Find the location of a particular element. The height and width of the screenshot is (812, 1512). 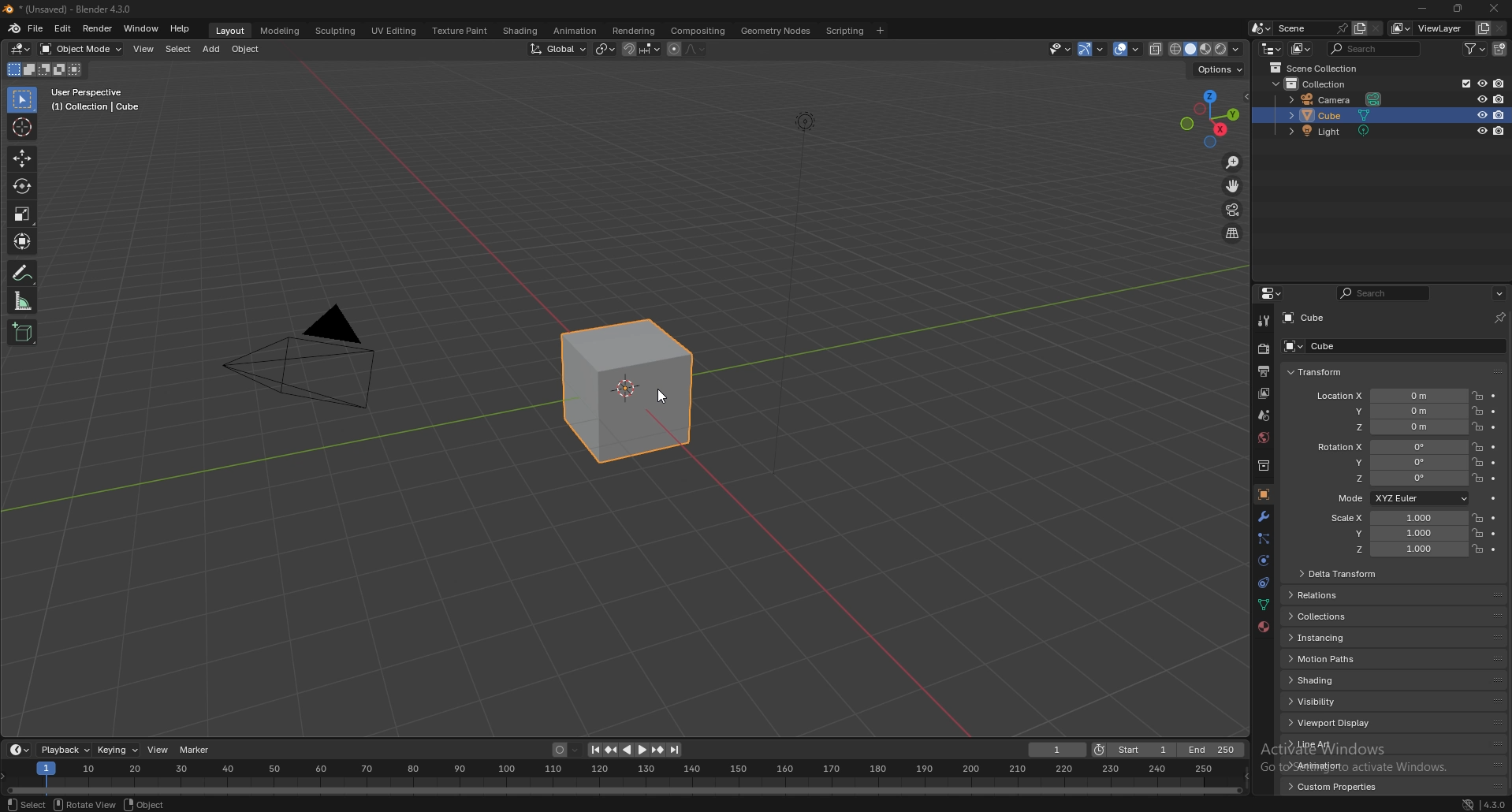

minimize is located at coordinates (1422, 9).